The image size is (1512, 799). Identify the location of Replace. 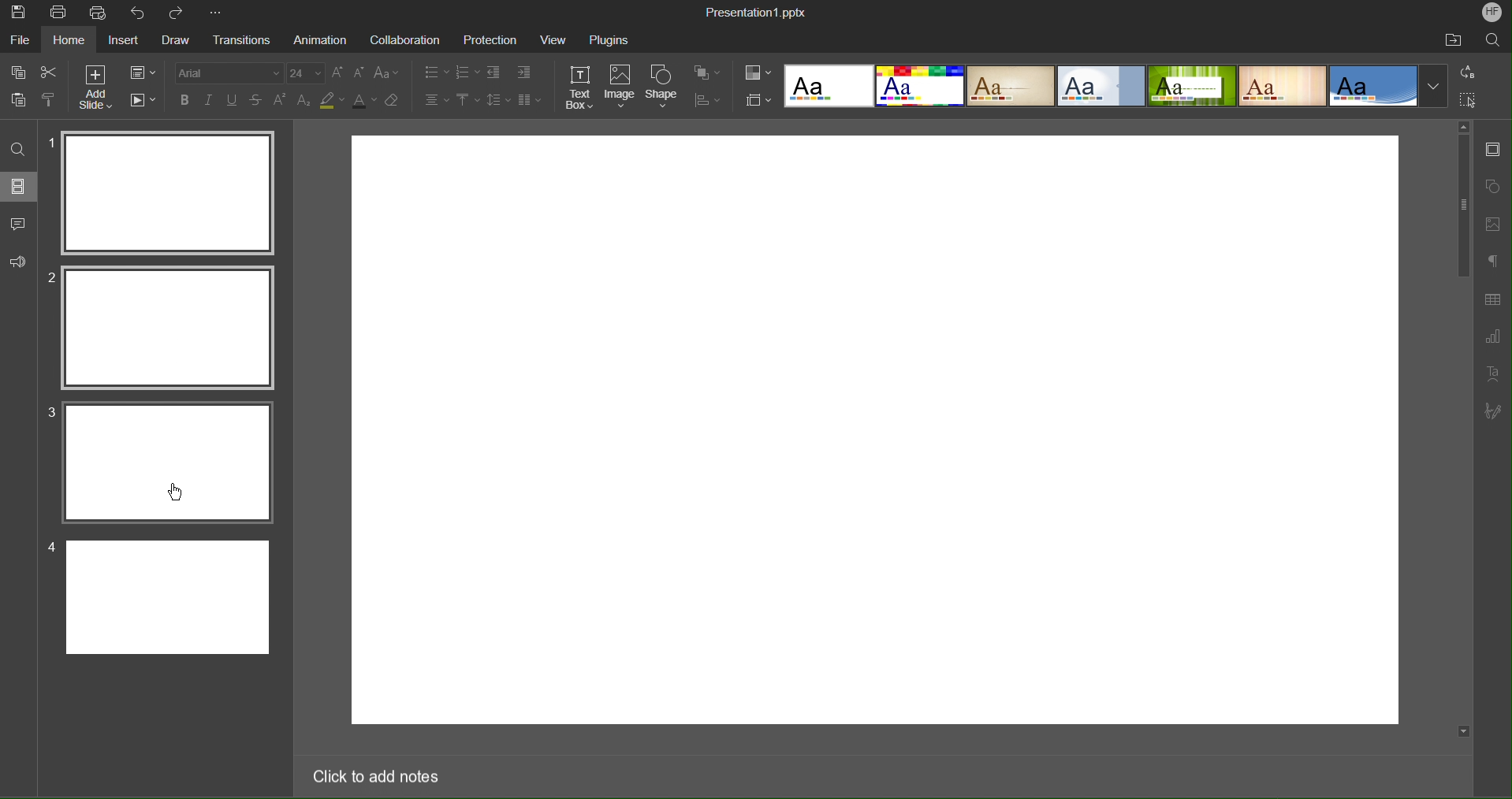
(1468, 72).